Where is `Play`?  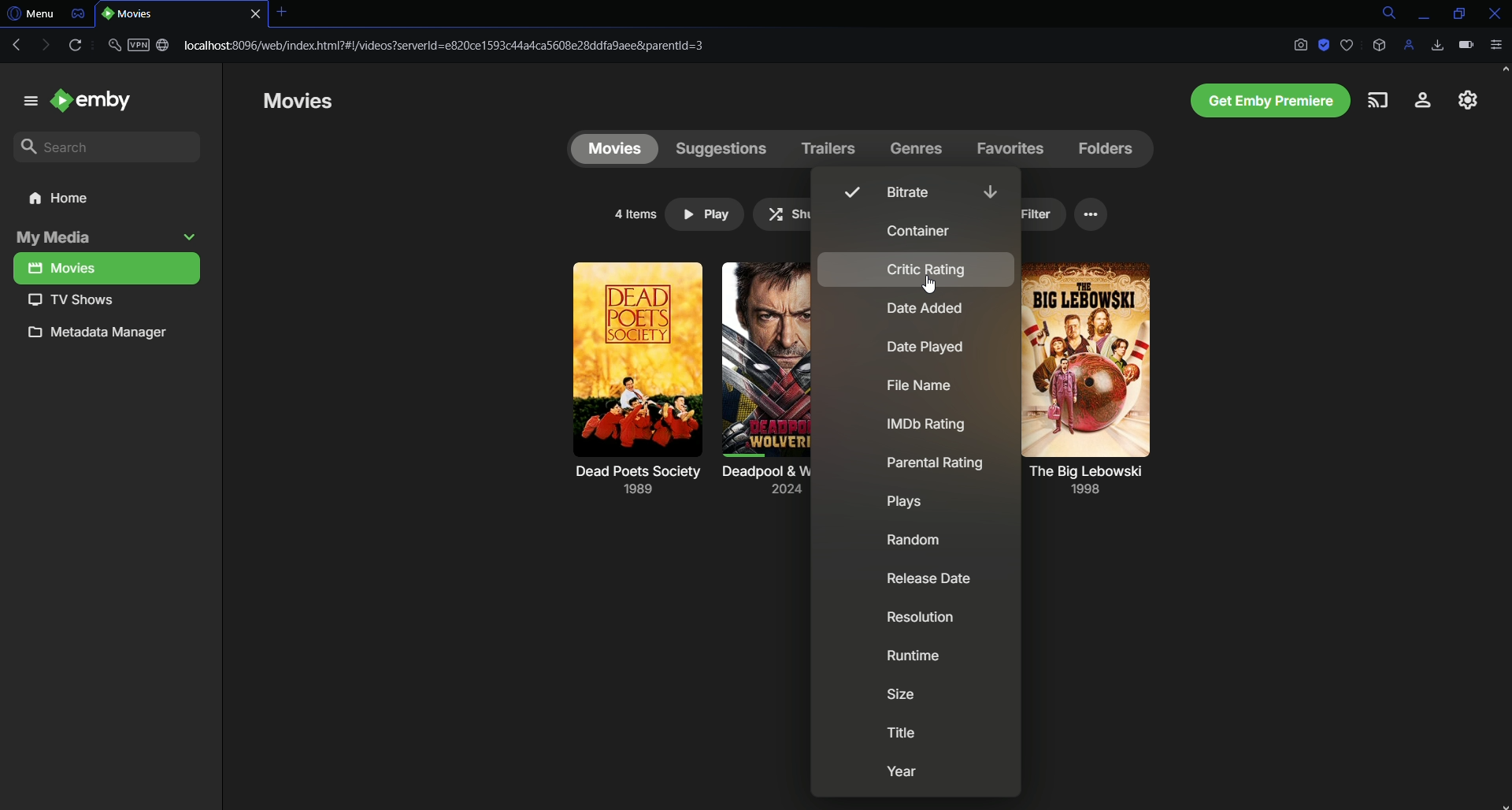
Play is located at coordinates (702, 217).